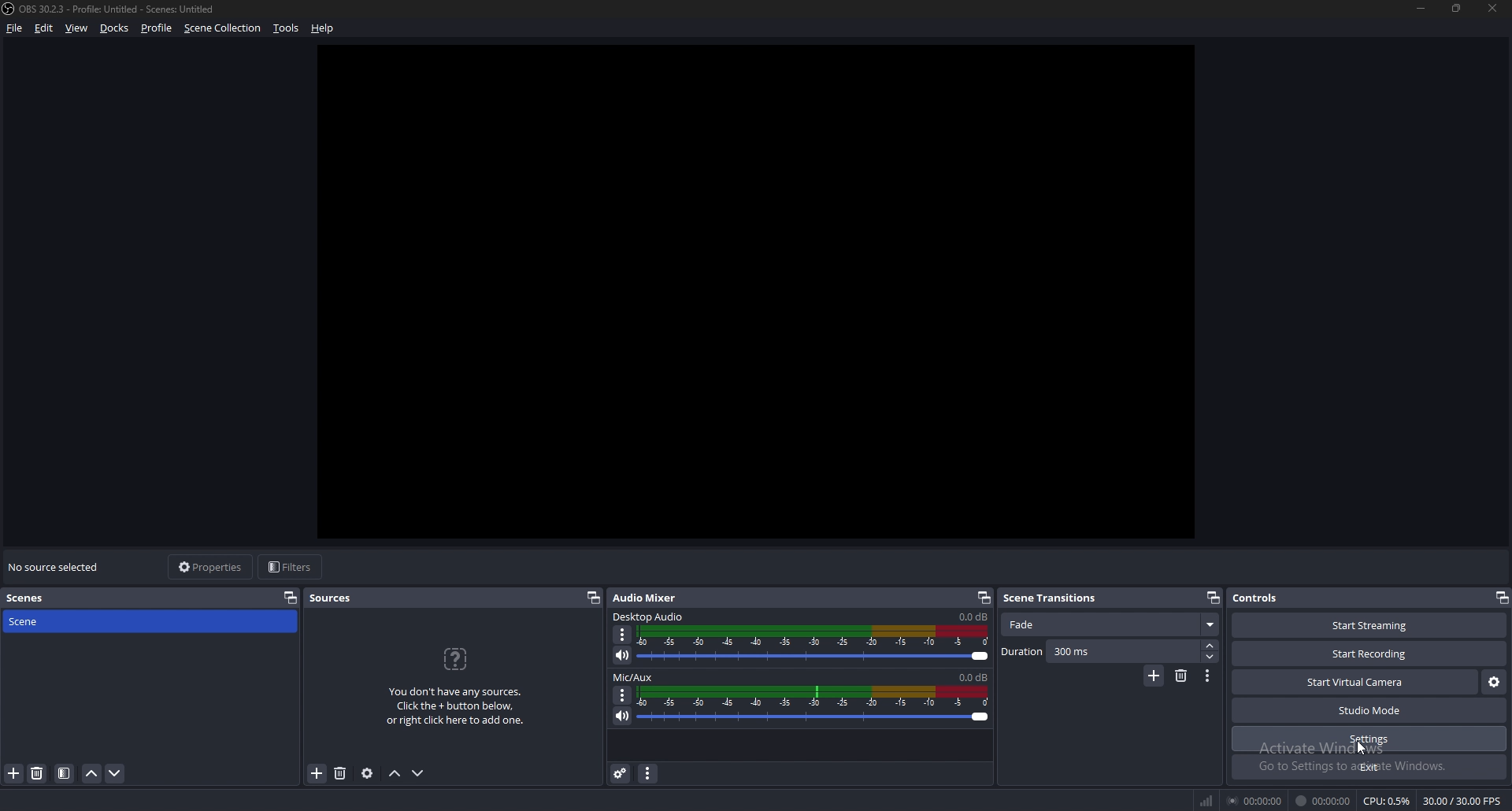  Describe the element at coordinates (982, 598) in the screenshot. I see `pop out` at that location.